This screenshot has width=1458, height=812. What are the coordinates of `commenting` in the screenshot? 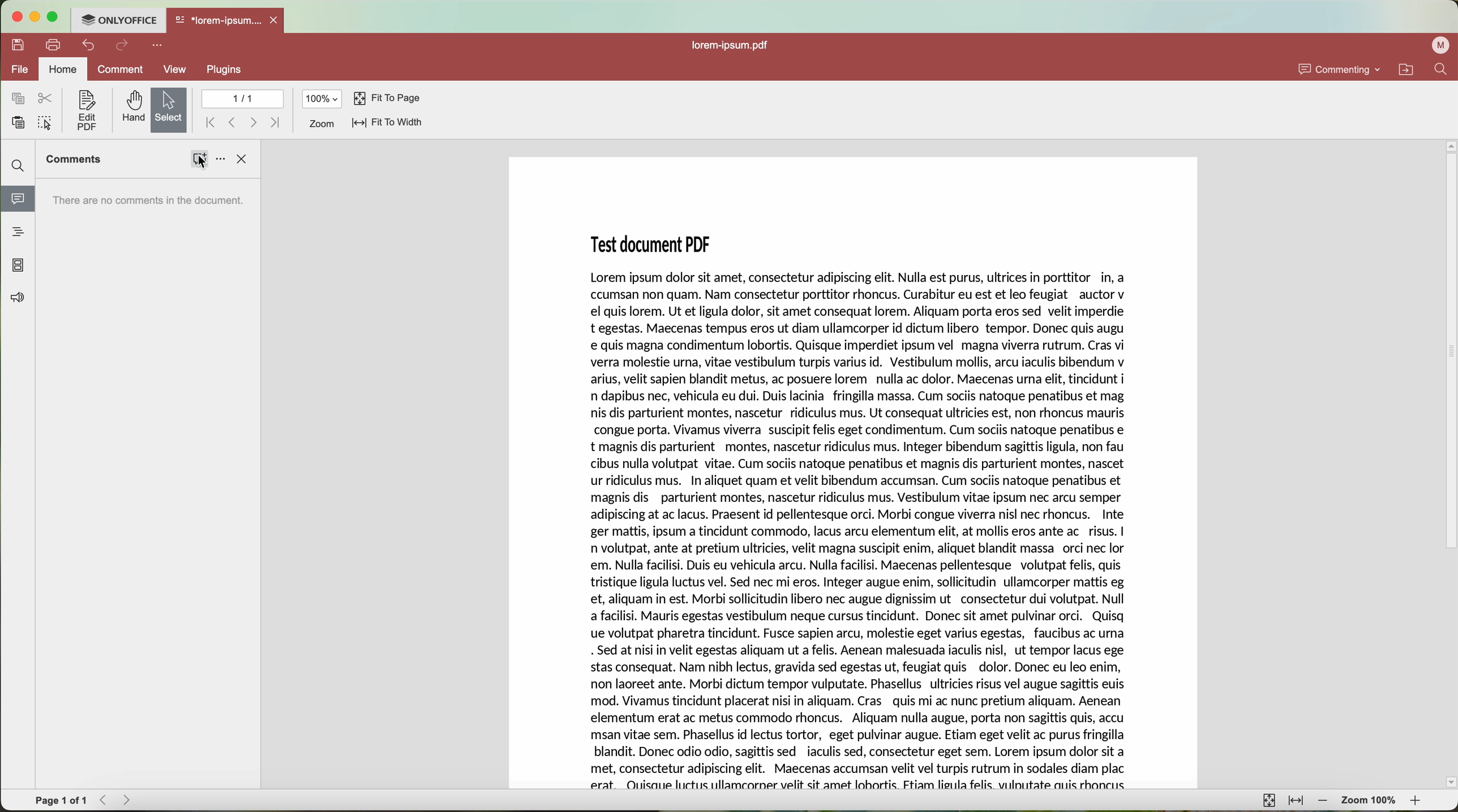 It's located at (1340, 69).